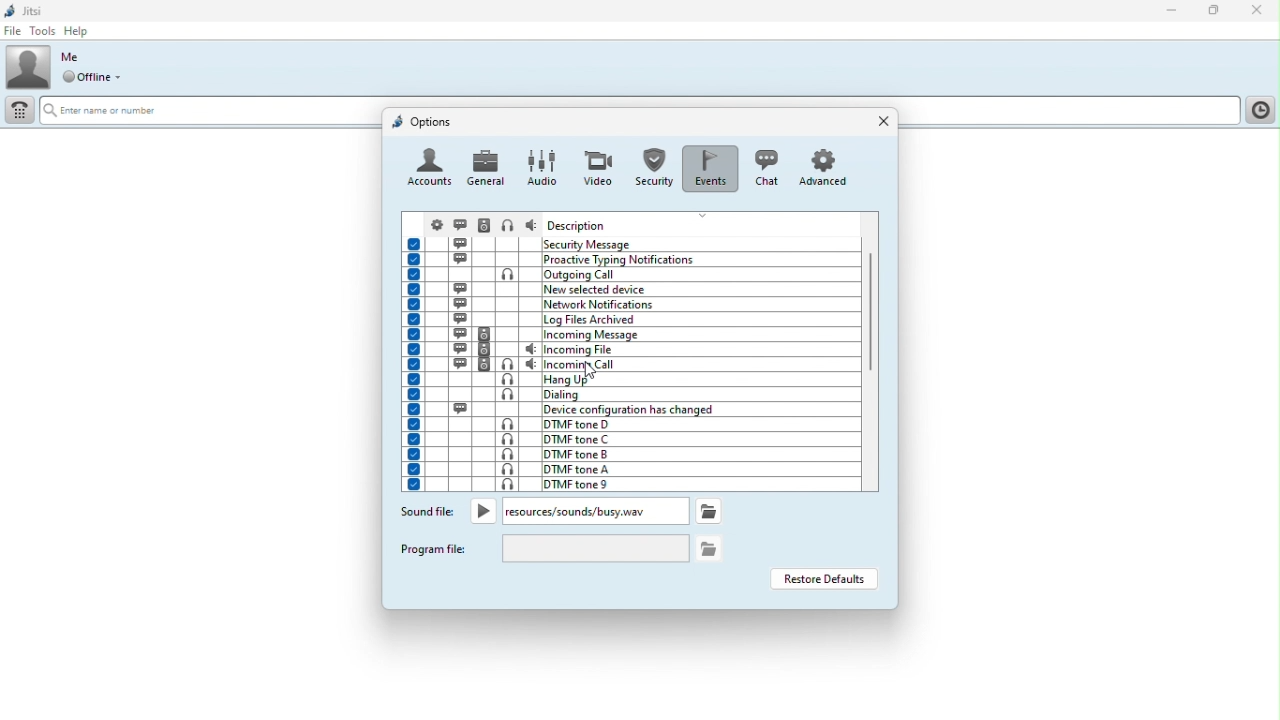 Image resolution: width=1280 pixels, height=720 pixels. What do you see at coordinates (1259, 110) in the screenshot?
I see `History` at bounding box center [1259, 110].